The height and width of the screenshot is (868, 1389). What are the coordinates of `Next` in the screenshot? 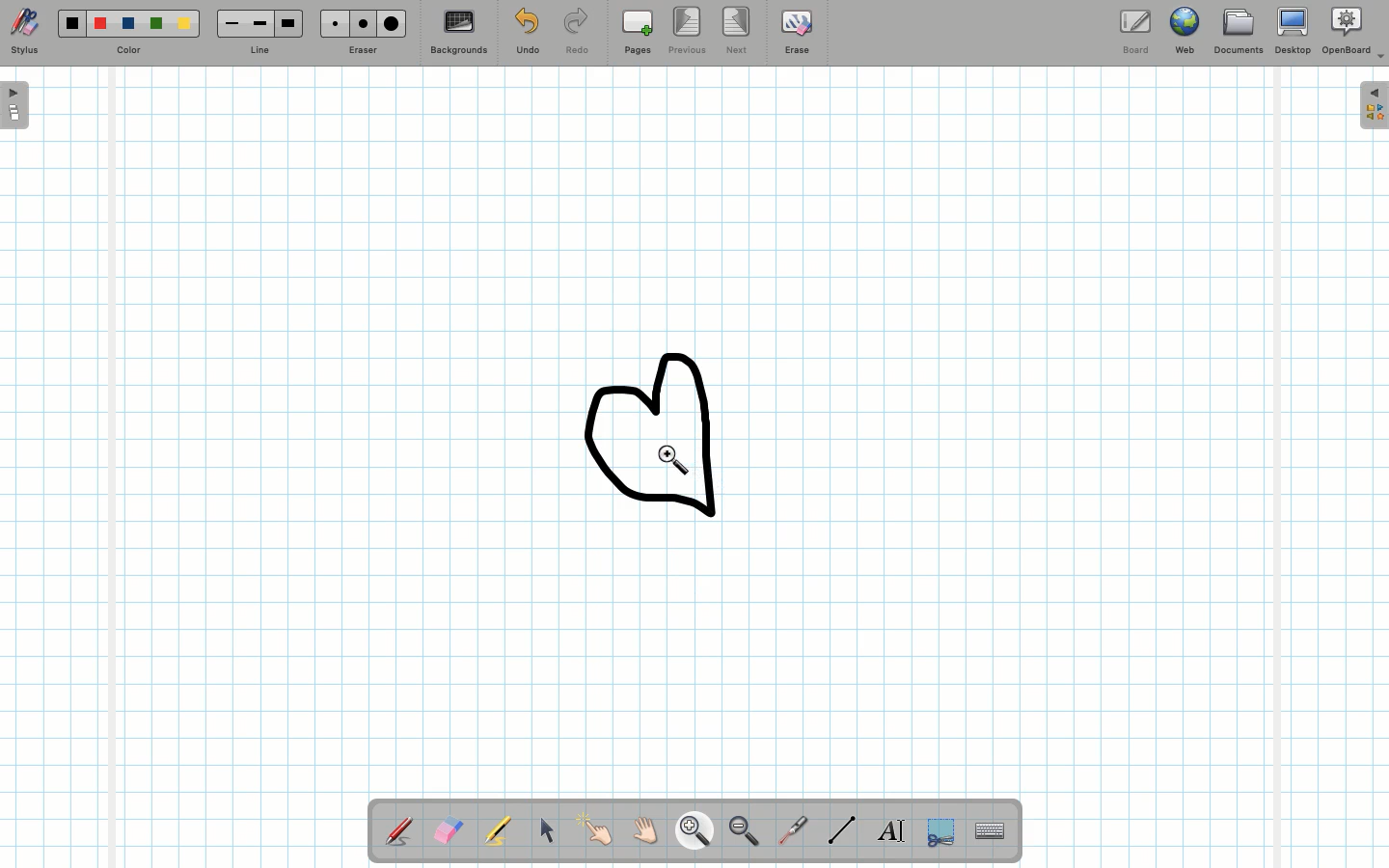 It's located at (737, 30).